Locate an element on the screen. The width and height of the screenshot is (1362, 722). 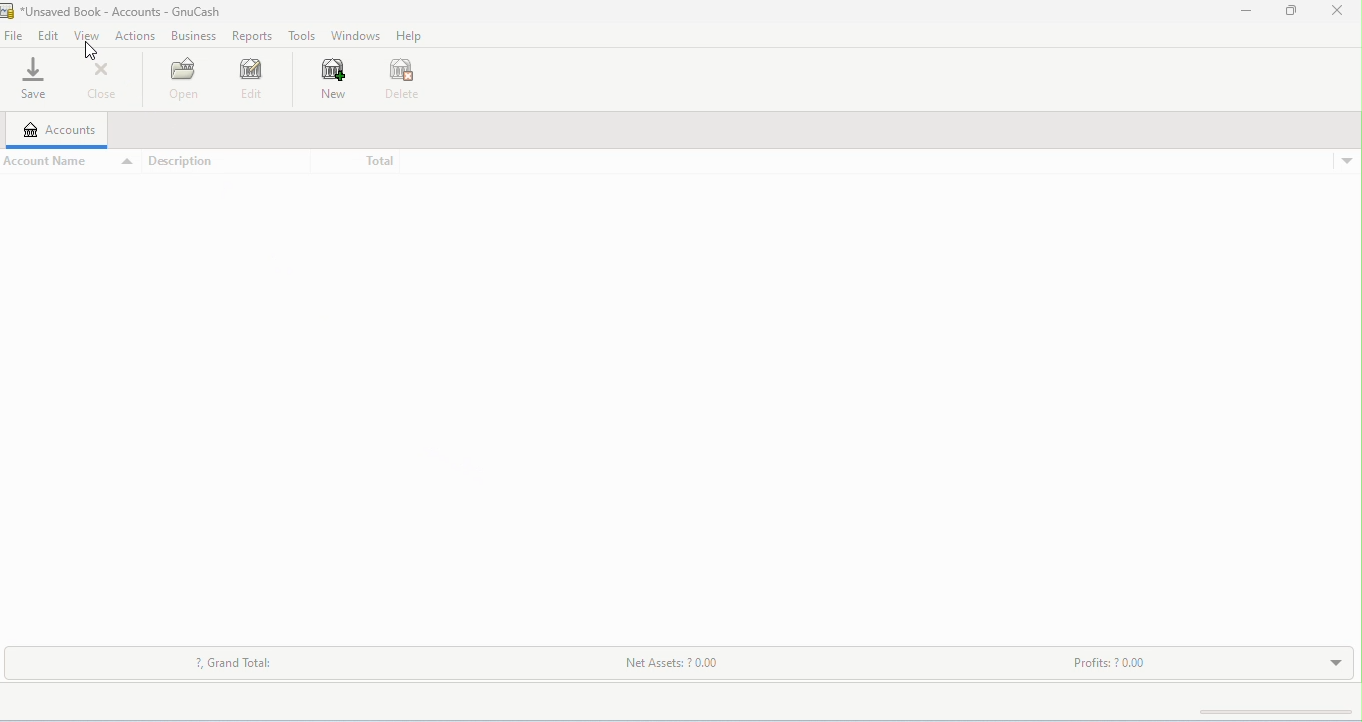
file is located at coordinates (14, 37).